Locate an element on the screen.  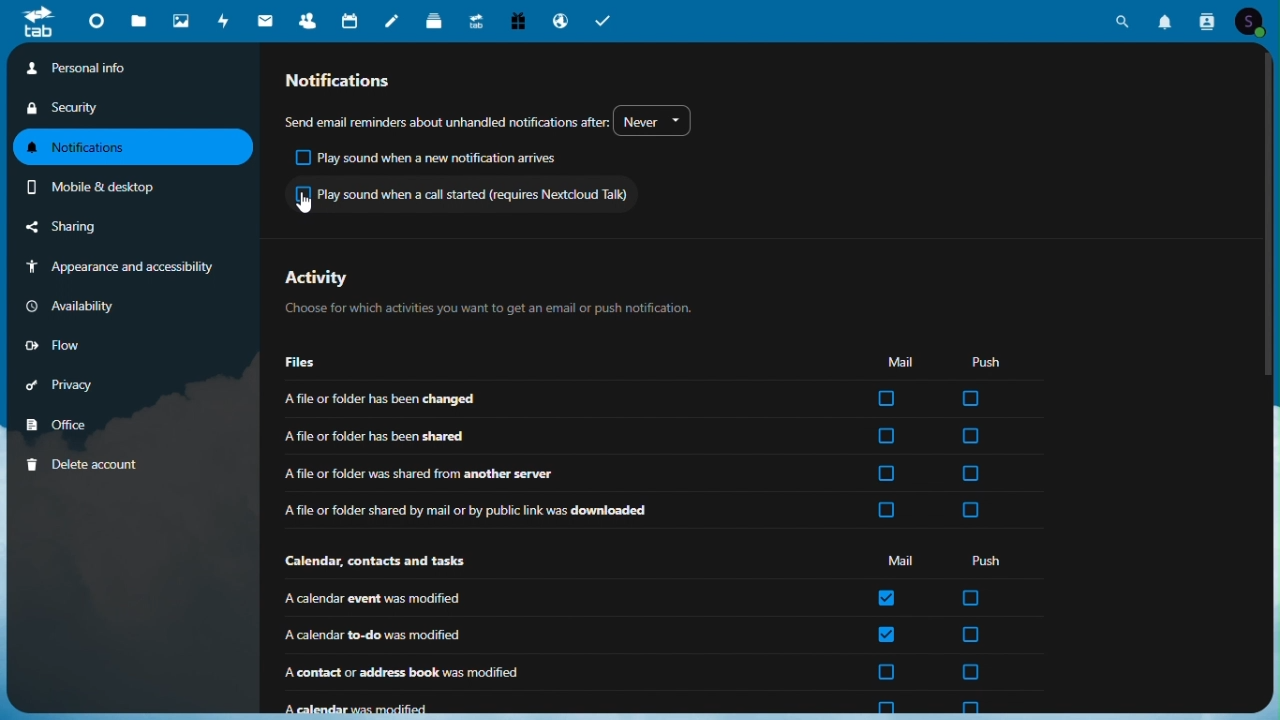
Files is located at coordinates (140, 22).